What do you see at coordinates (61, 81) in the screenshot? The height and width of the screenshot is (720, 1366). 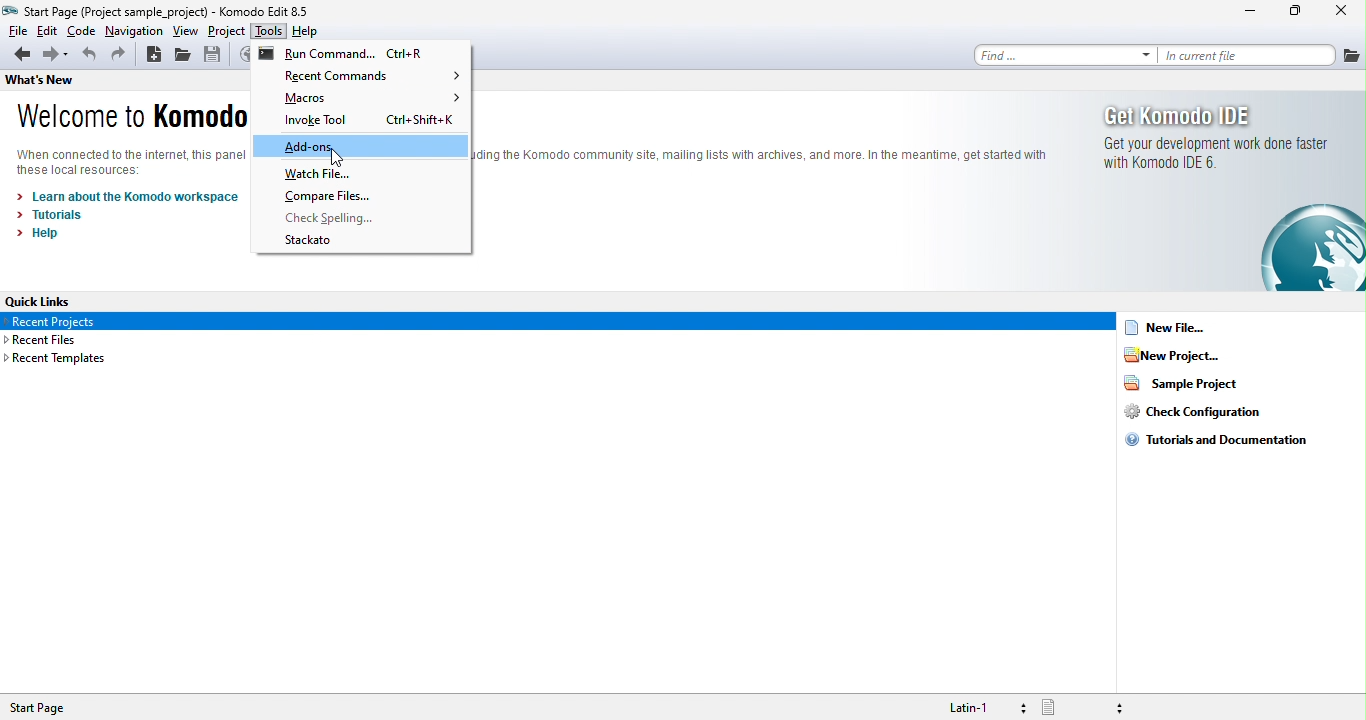 I see `whats new` at bounding box center [61, 81].